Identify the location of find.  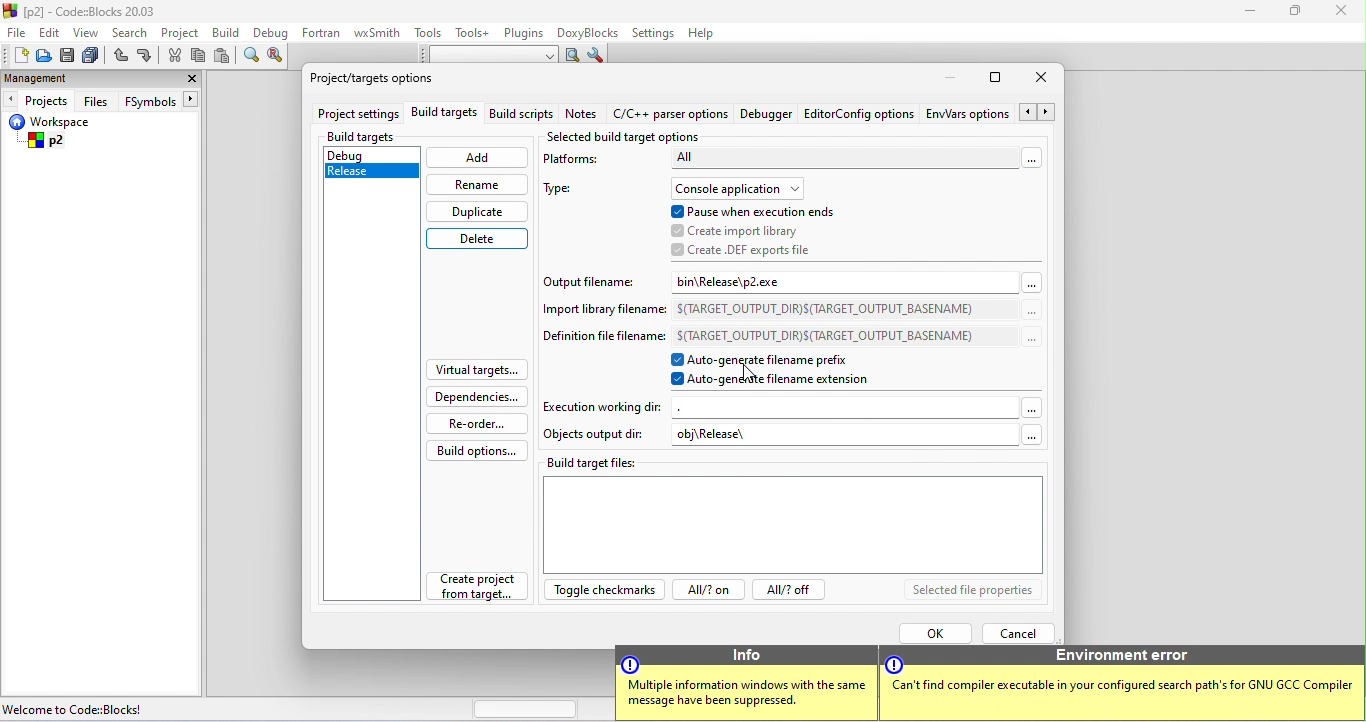
(252, 58).